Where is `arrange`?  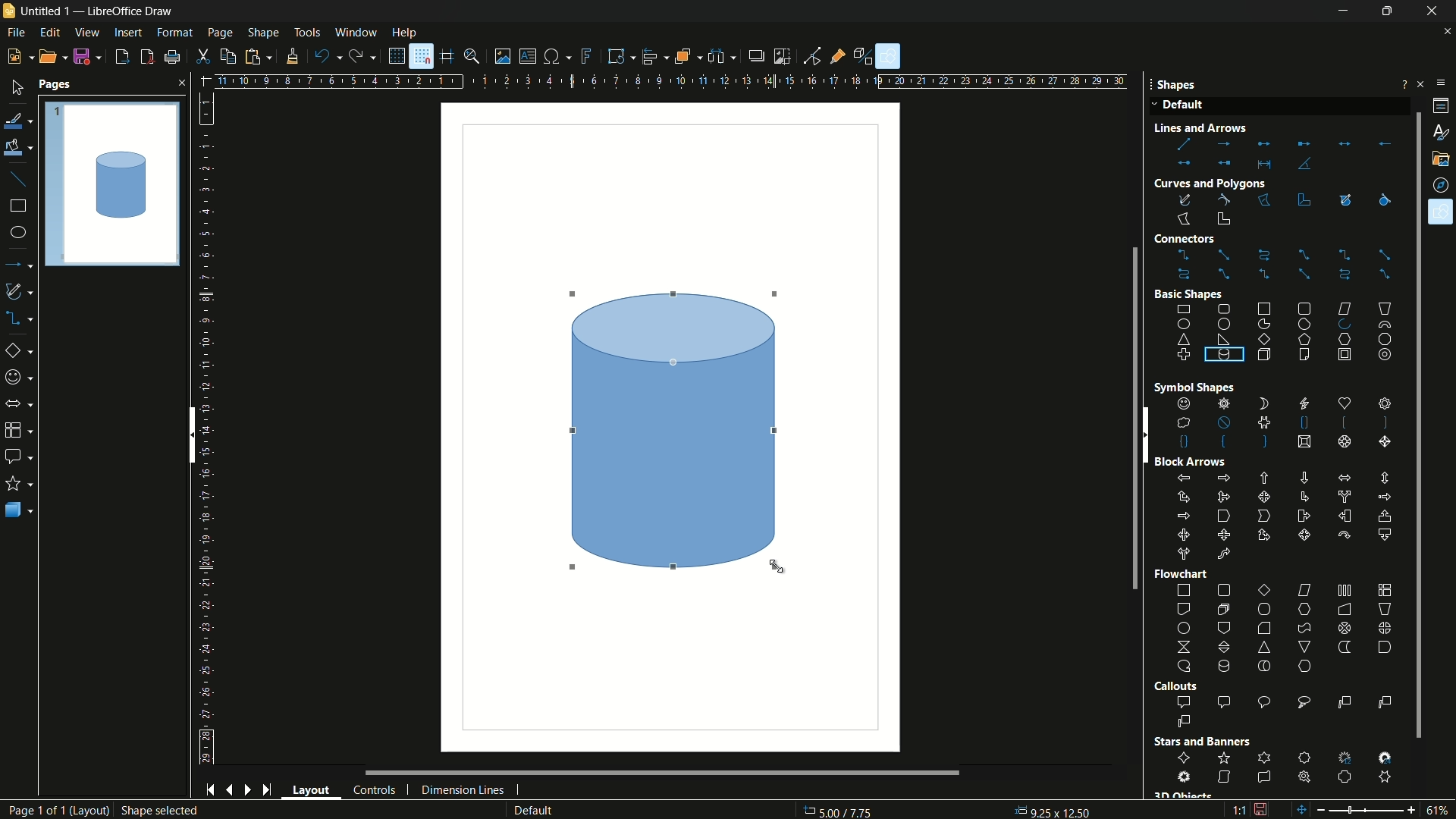 arrange is located at coordinates (688, 58).